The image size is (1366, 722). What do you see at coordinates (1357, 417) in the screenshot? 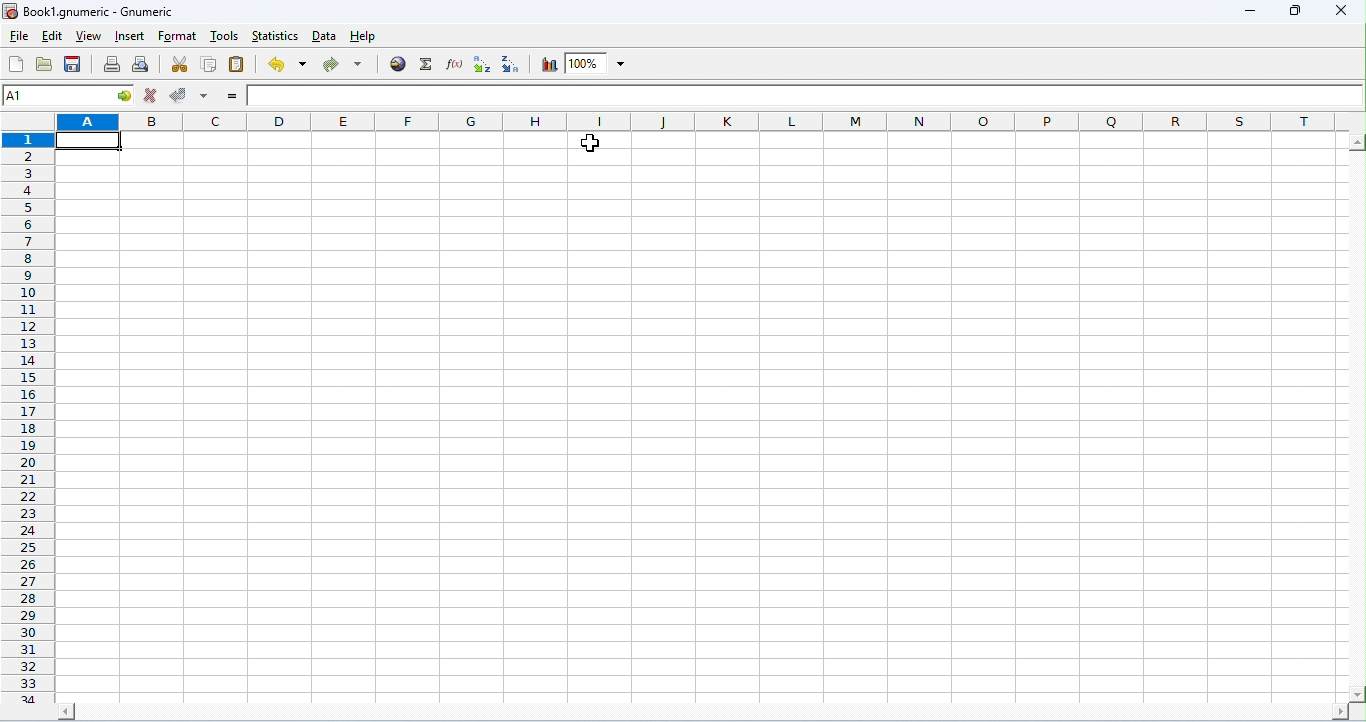
I see `Vertical scroll bar` at bounding box center [1357, 417].